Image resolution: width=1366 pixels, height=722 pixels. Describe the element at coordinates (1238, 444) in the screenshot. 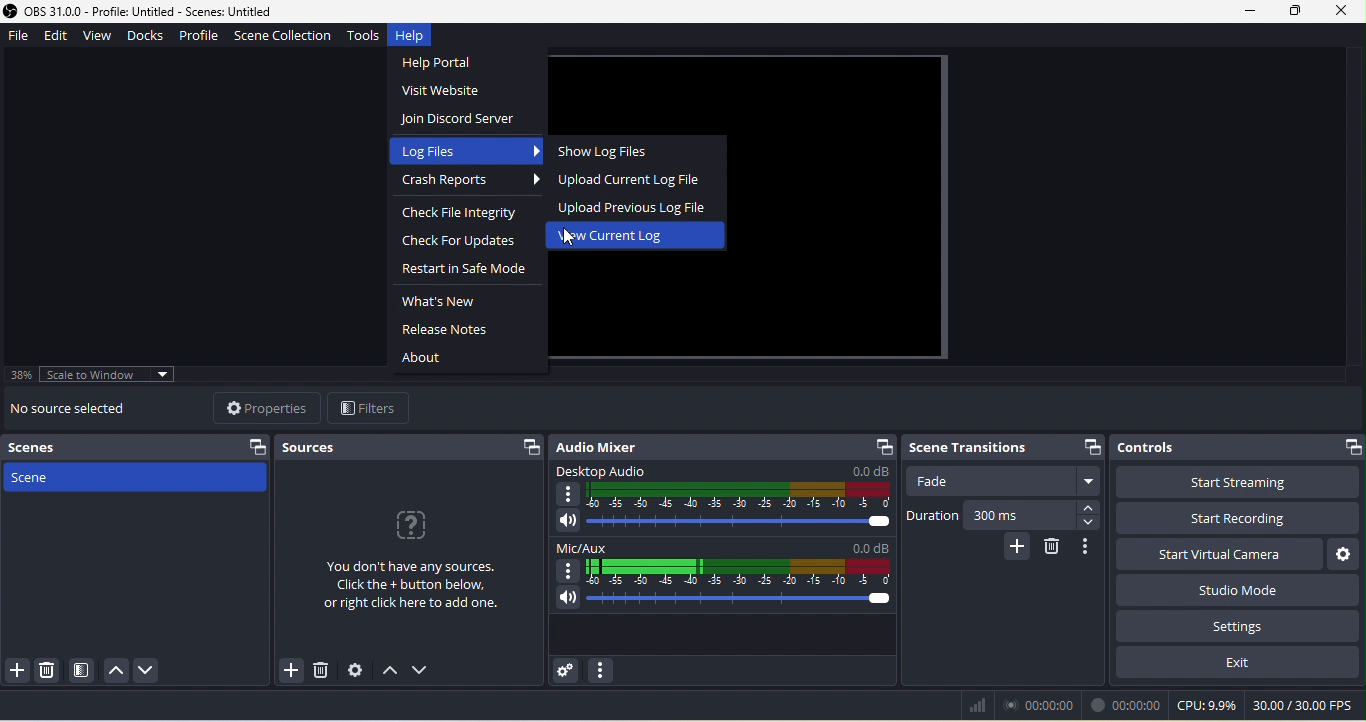

I see `controls` at that location.